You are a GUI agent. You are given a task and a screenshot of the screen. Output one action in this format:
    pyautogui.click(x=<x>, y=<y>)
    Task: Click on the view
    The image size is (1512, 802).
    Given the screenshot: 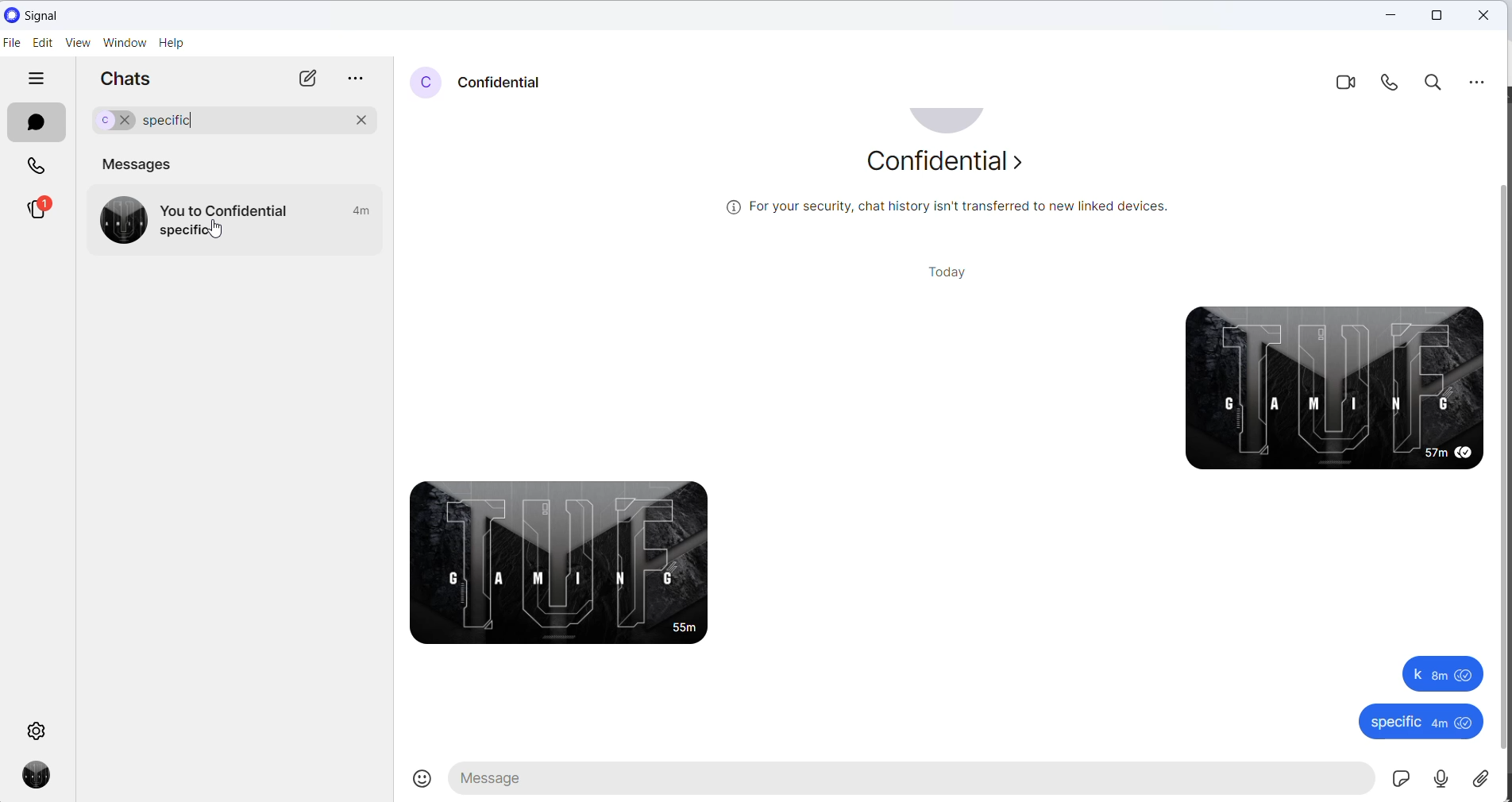 What is the action you would take?
    pyautogui.click(x=82, y=44)
    